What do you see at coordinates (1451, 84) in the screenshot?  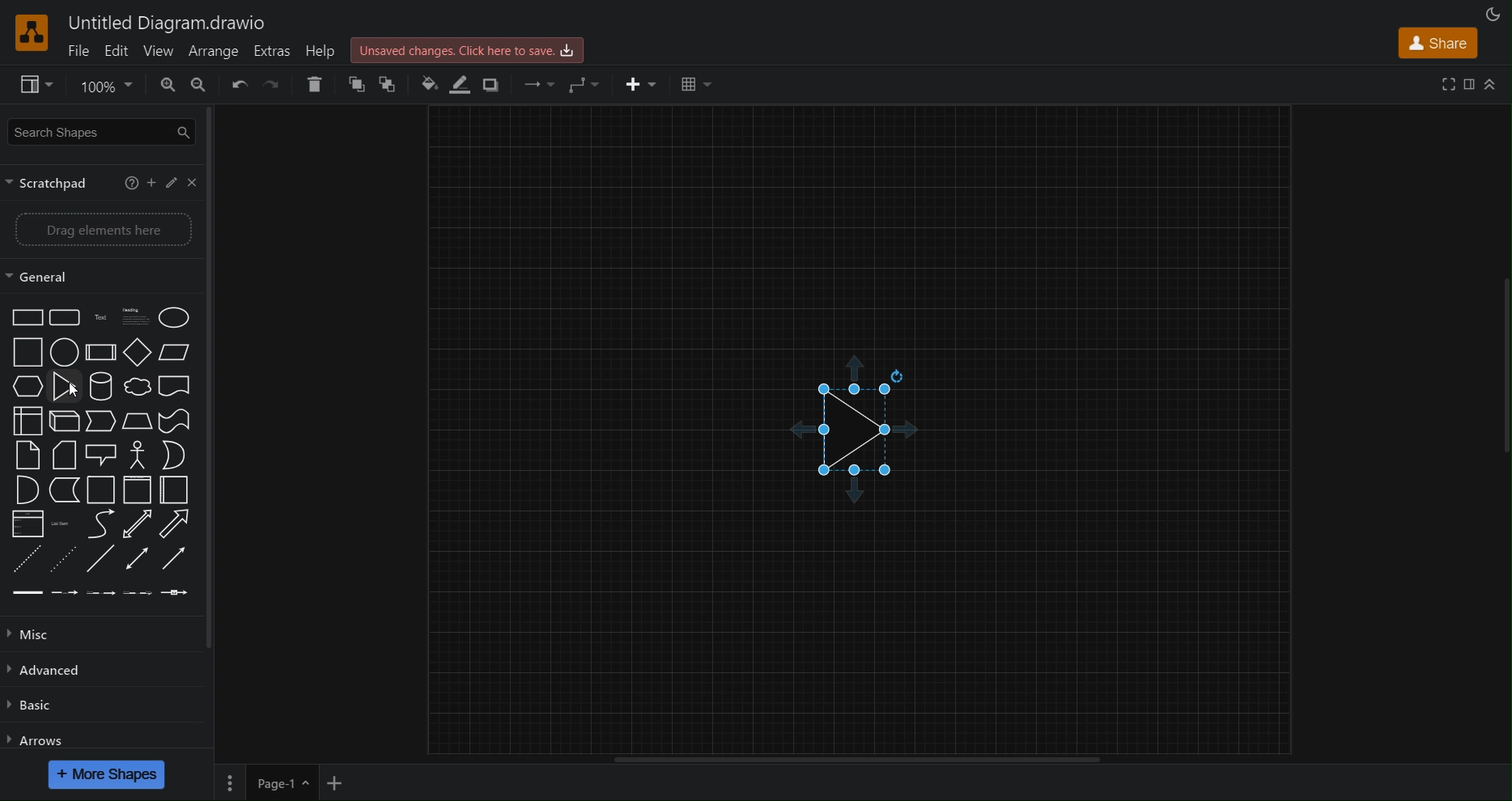 I see `Fullscreen` at bounding box center [1451, 84].